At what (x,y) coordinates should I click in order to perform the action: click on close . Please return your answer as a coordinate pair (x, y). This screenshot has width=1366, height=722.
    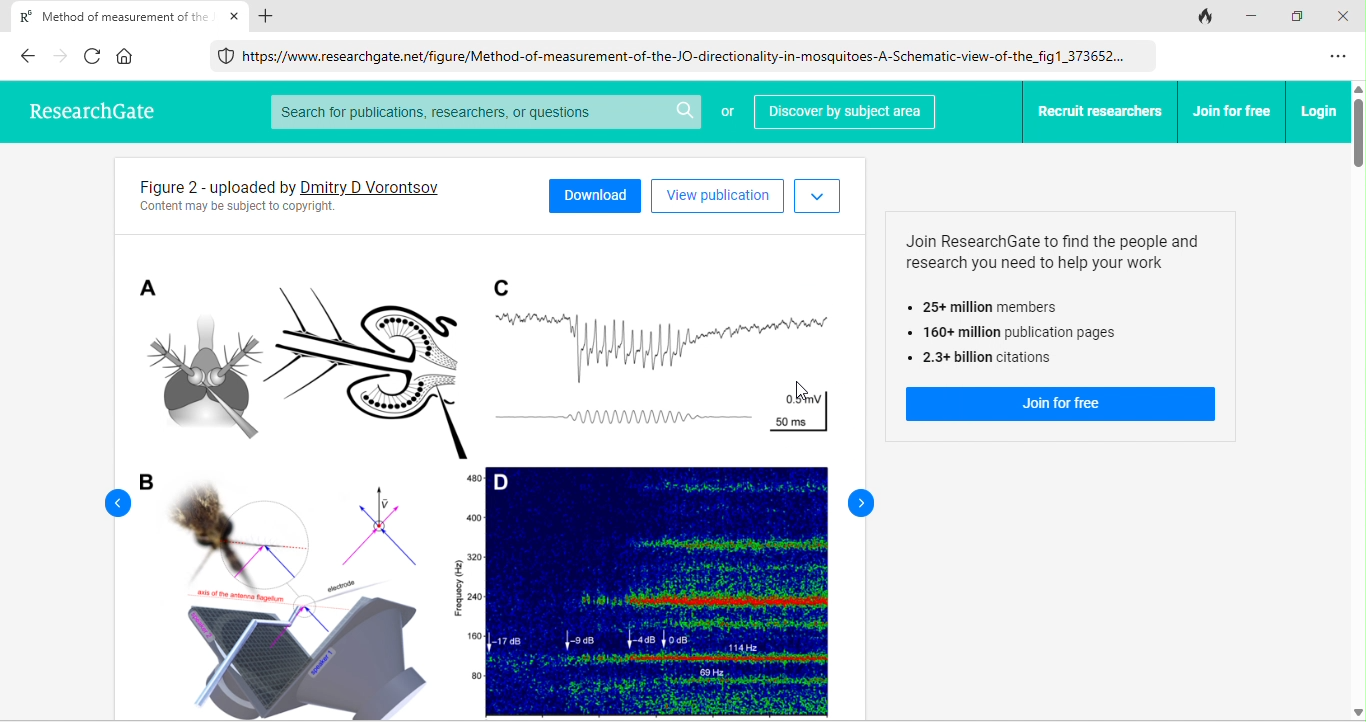
    Looking at the image, I should click on (1346, 16).